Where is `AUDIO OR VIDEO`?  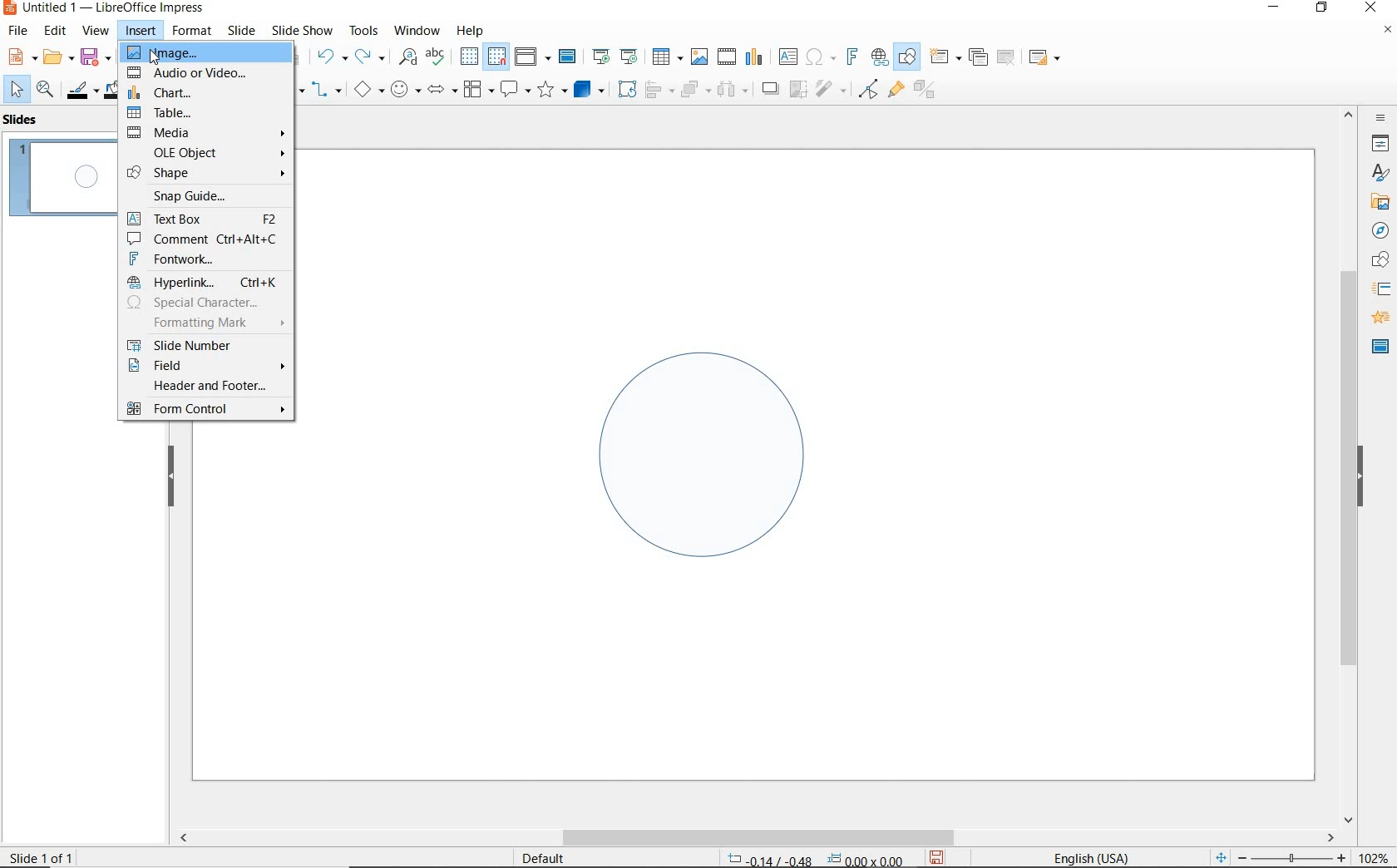 AUDIO OR VIDEO is located at coordinates (207, 74).